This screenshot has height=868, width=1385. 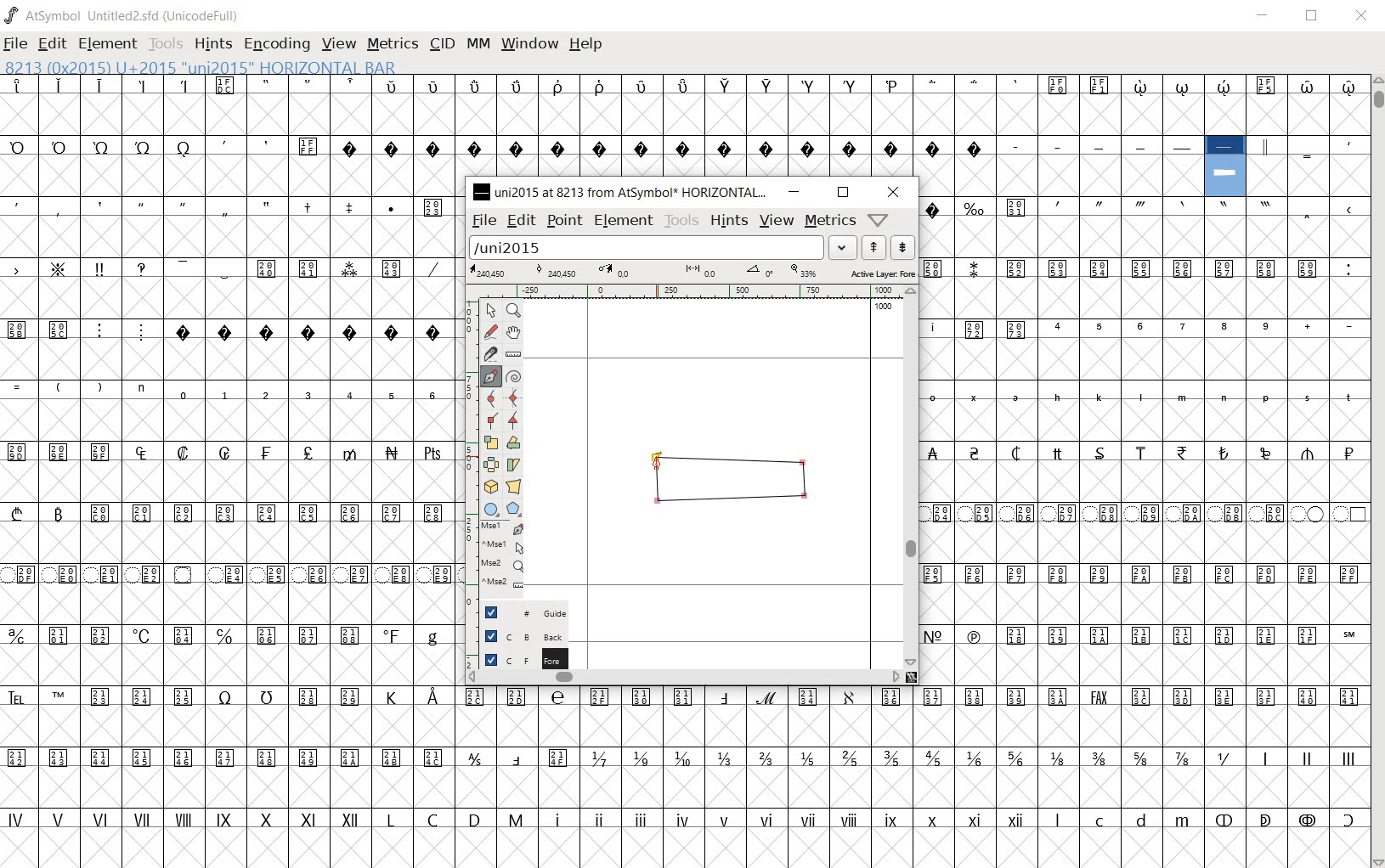 I want to click on MINIMIZE, so click(x=1265, y=16).